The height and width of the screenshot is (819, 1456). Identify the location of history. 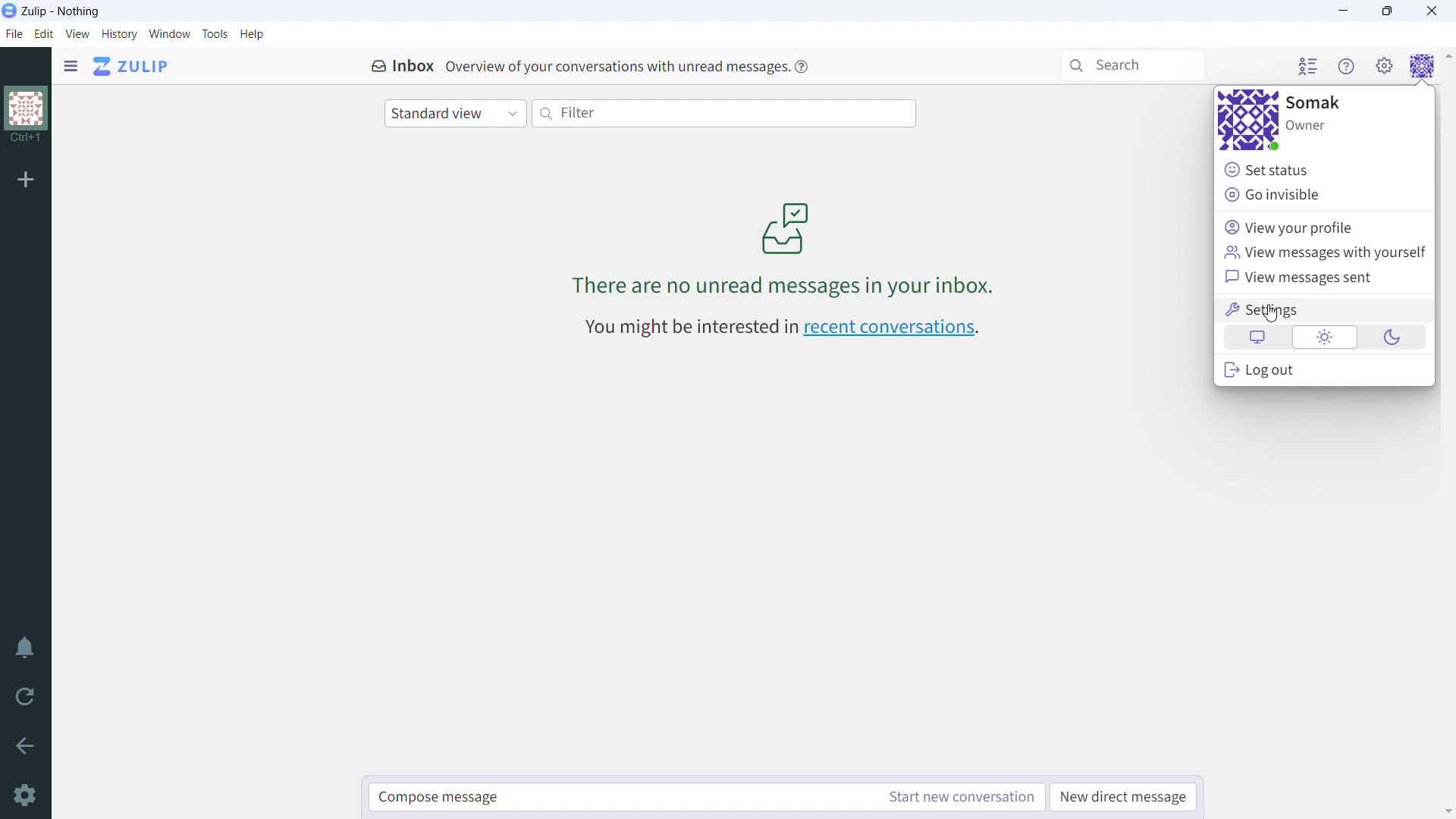
(120, 34).